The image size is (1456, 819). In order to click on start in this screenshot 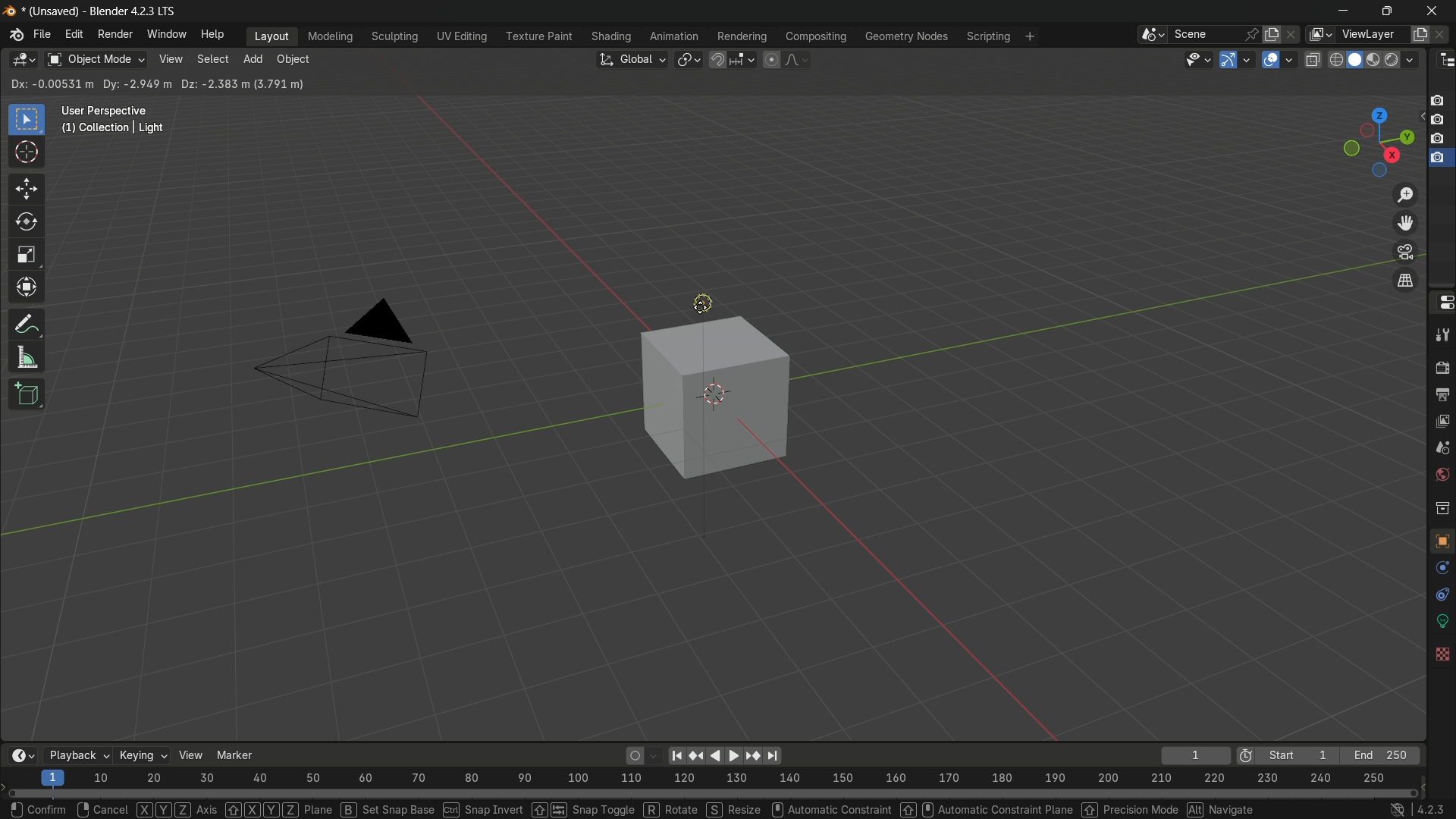, I will do `click(1285, 755)`.